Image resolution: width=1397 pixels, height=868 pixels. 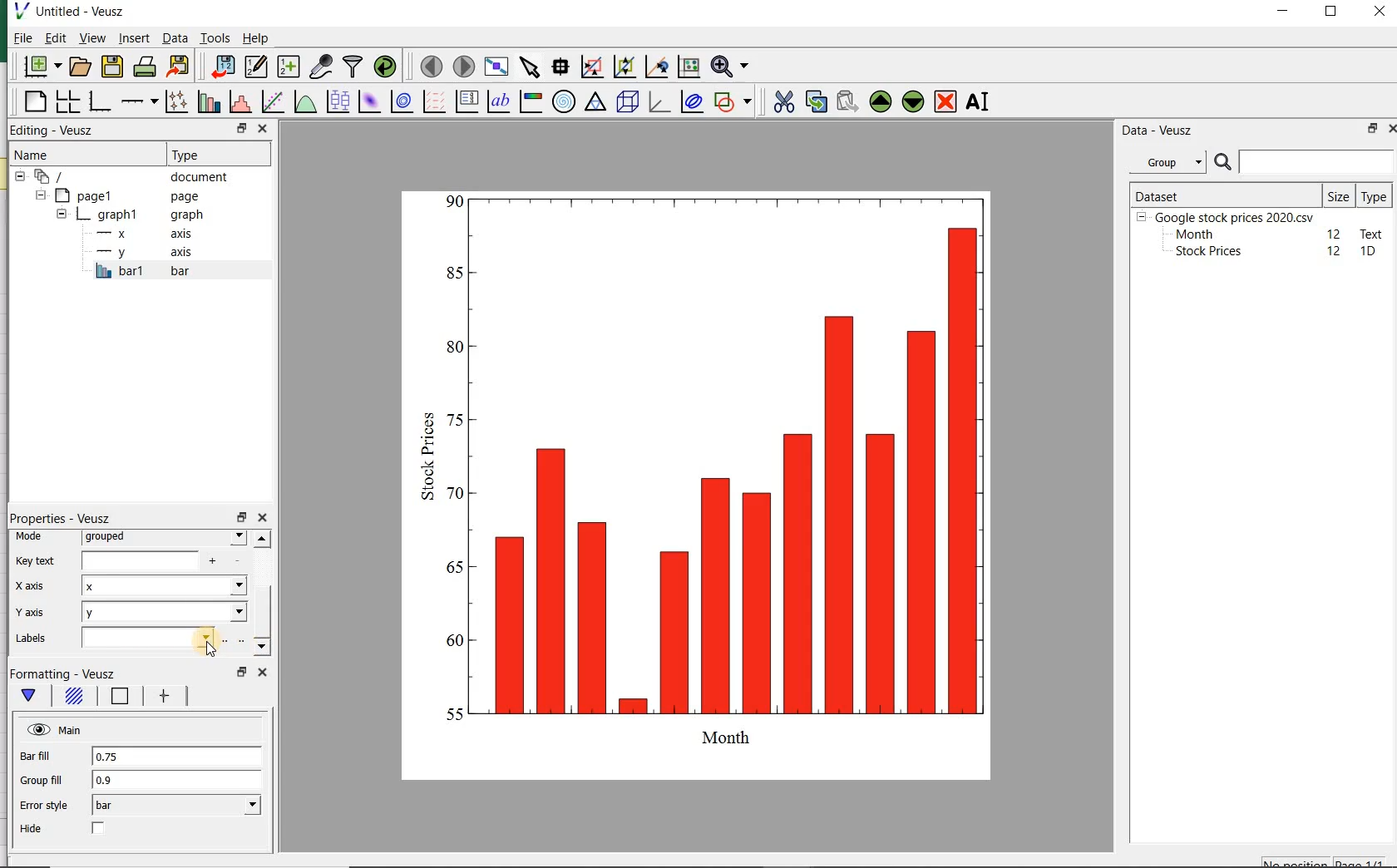 What do you see at coordinates (815, 102) in the screenshot?
I see `copy the selected widget` at bounding box center [815, 102].